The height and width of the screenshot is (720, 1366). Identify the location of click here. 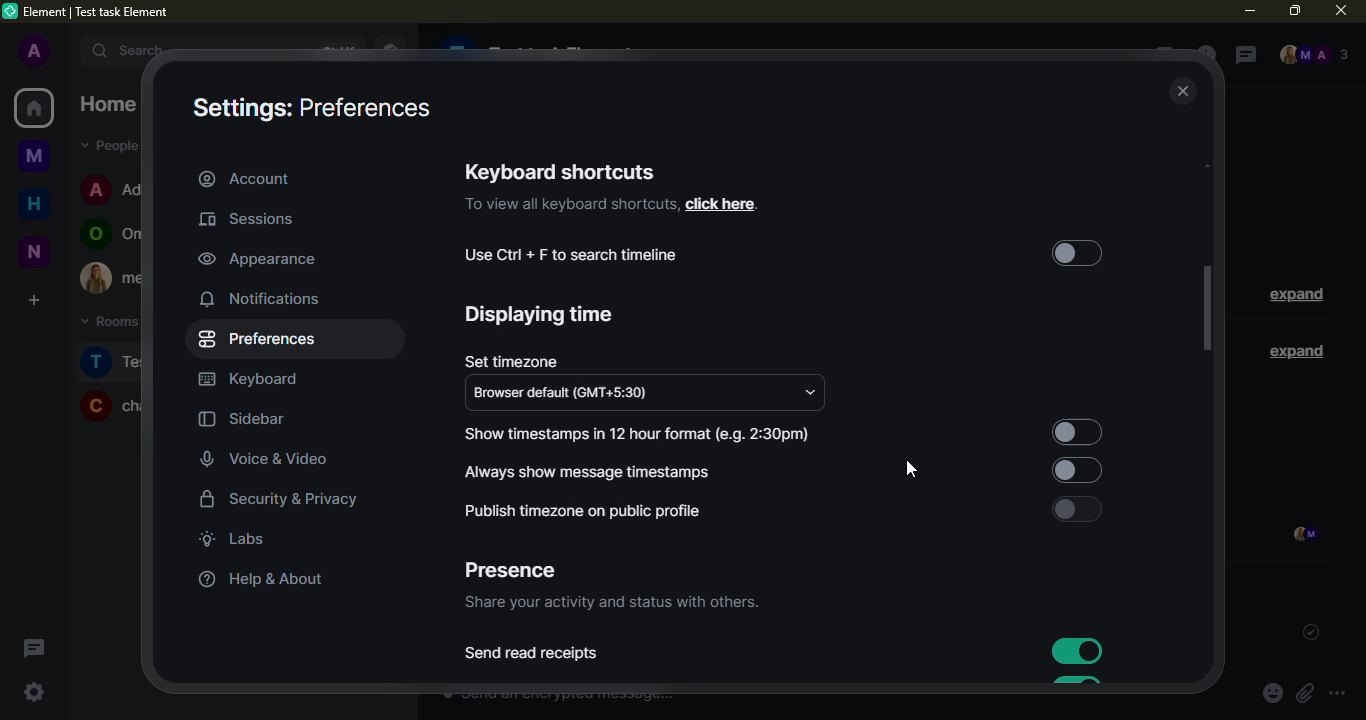
(720, 204).